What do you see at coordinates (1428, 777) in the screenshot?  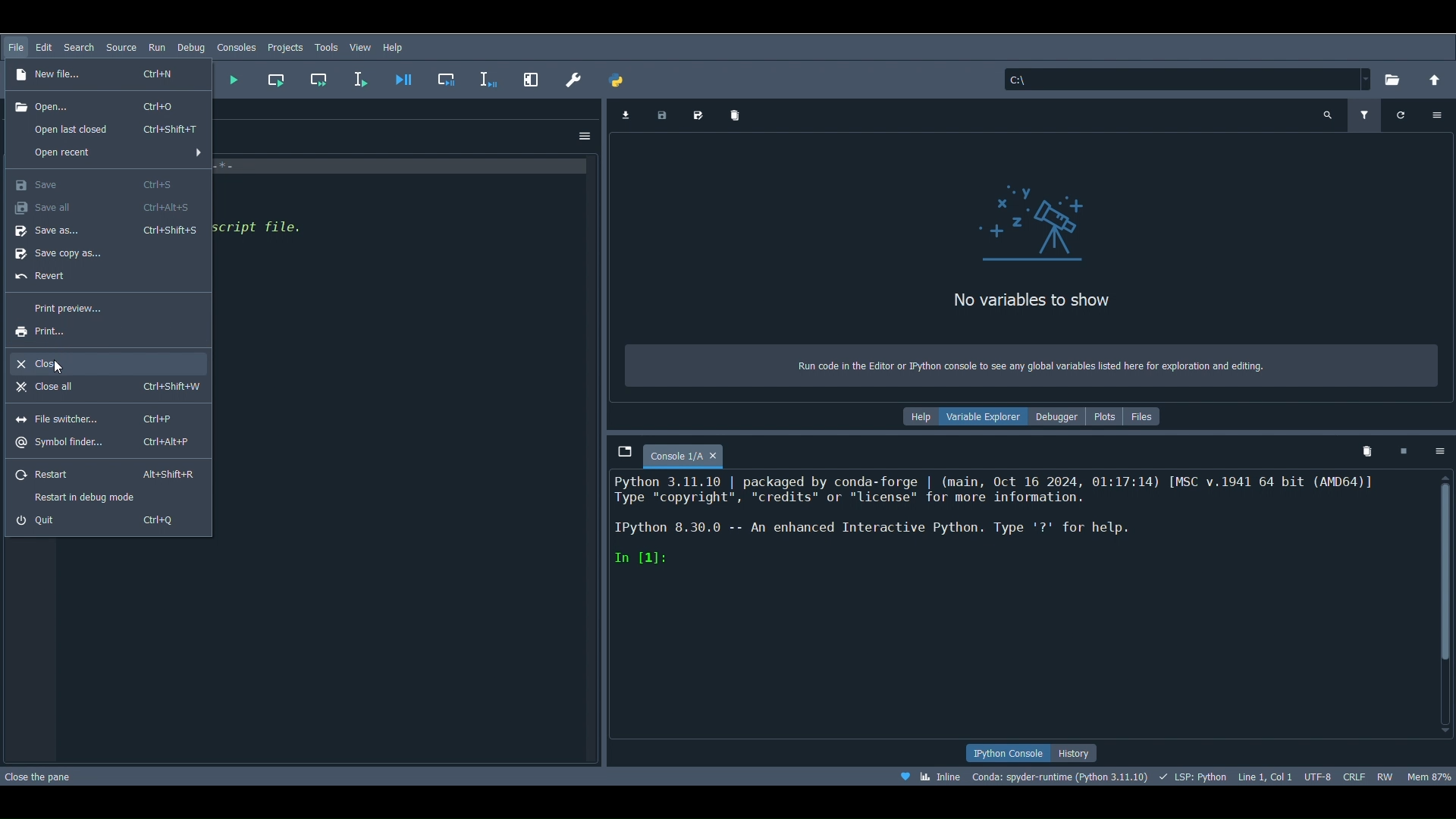 I see `Global memory usage` at bounding box center [1428, 777].